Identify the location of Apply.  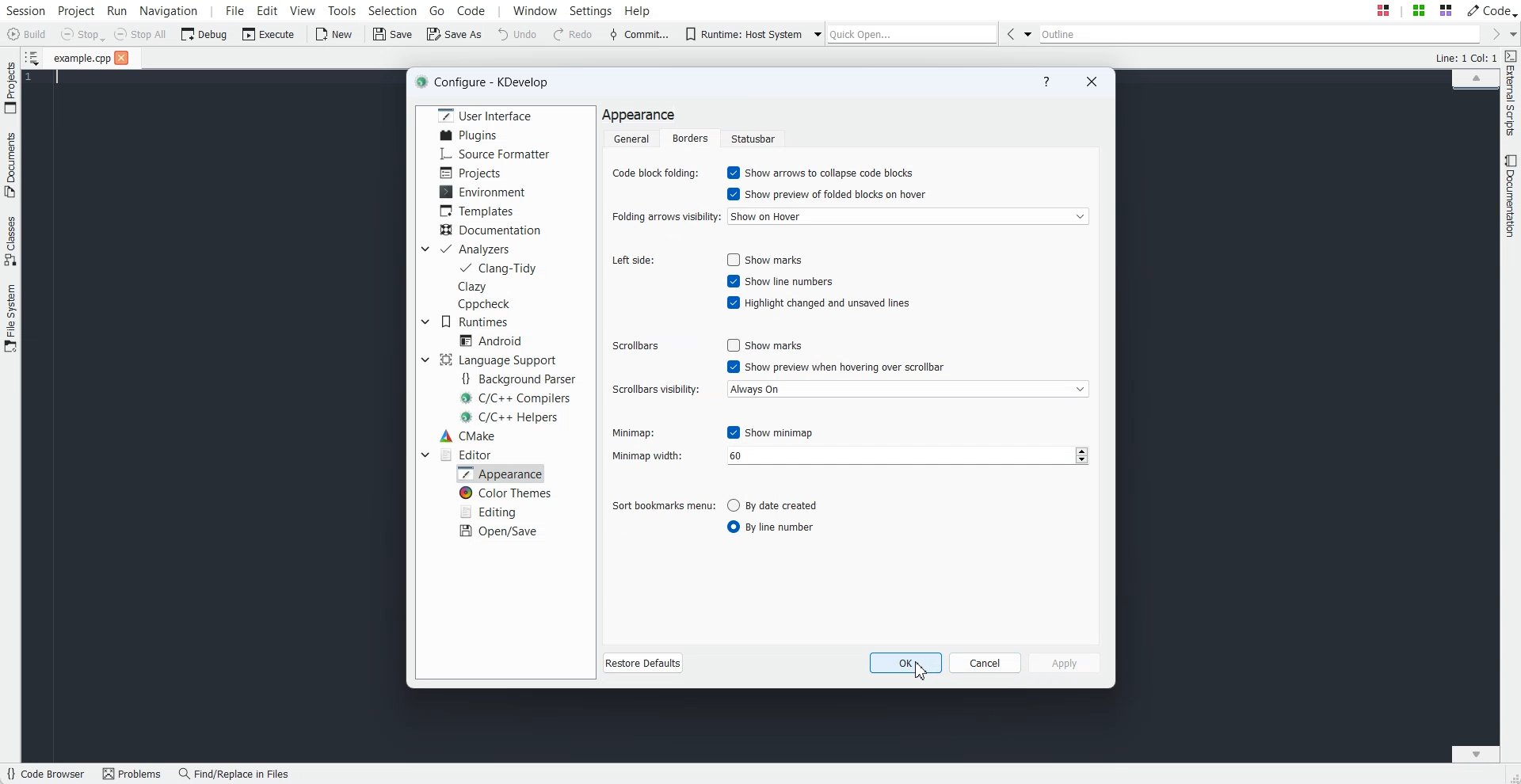
(1066, 663).